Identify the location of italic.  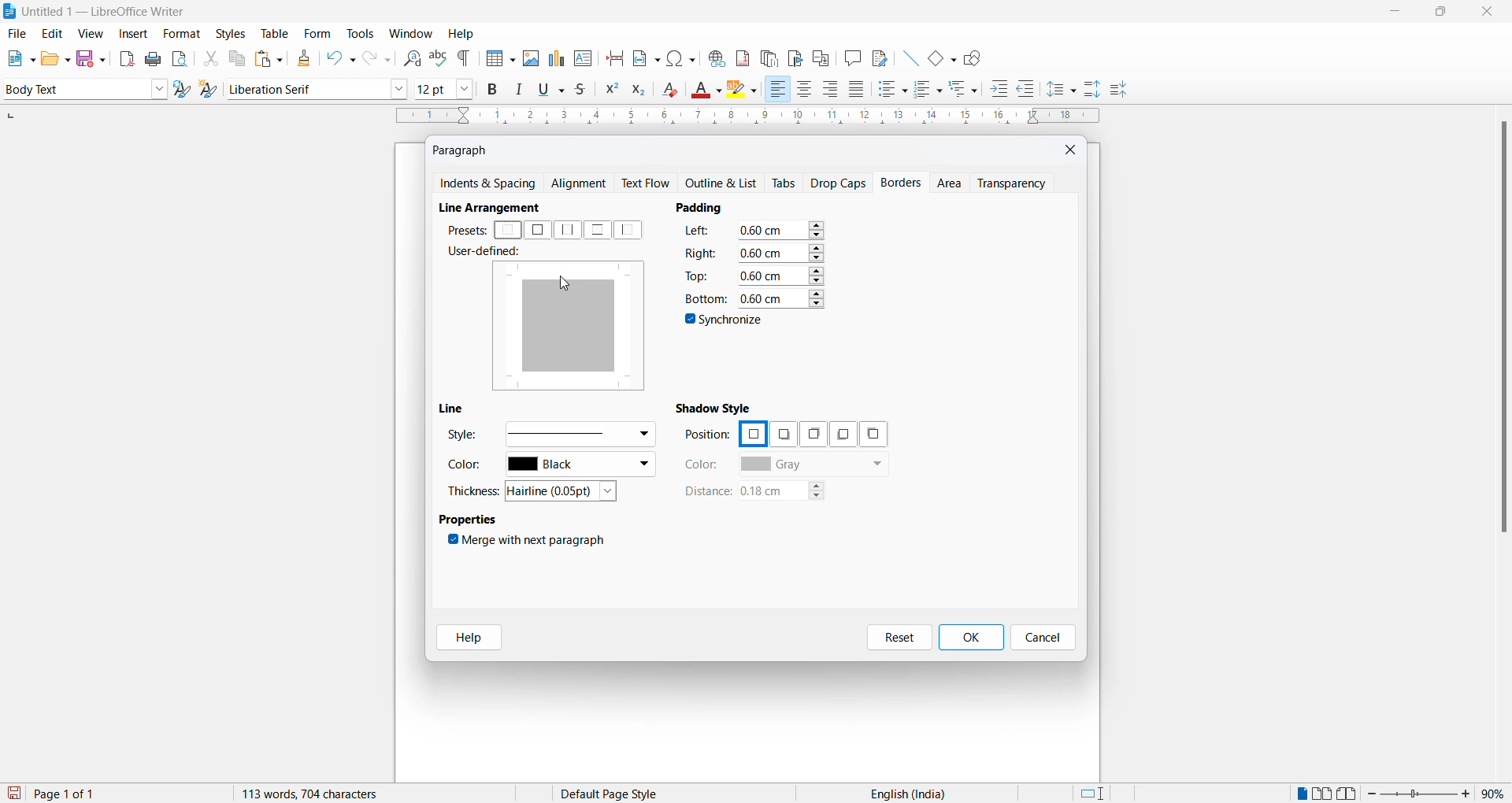
(522, 90).